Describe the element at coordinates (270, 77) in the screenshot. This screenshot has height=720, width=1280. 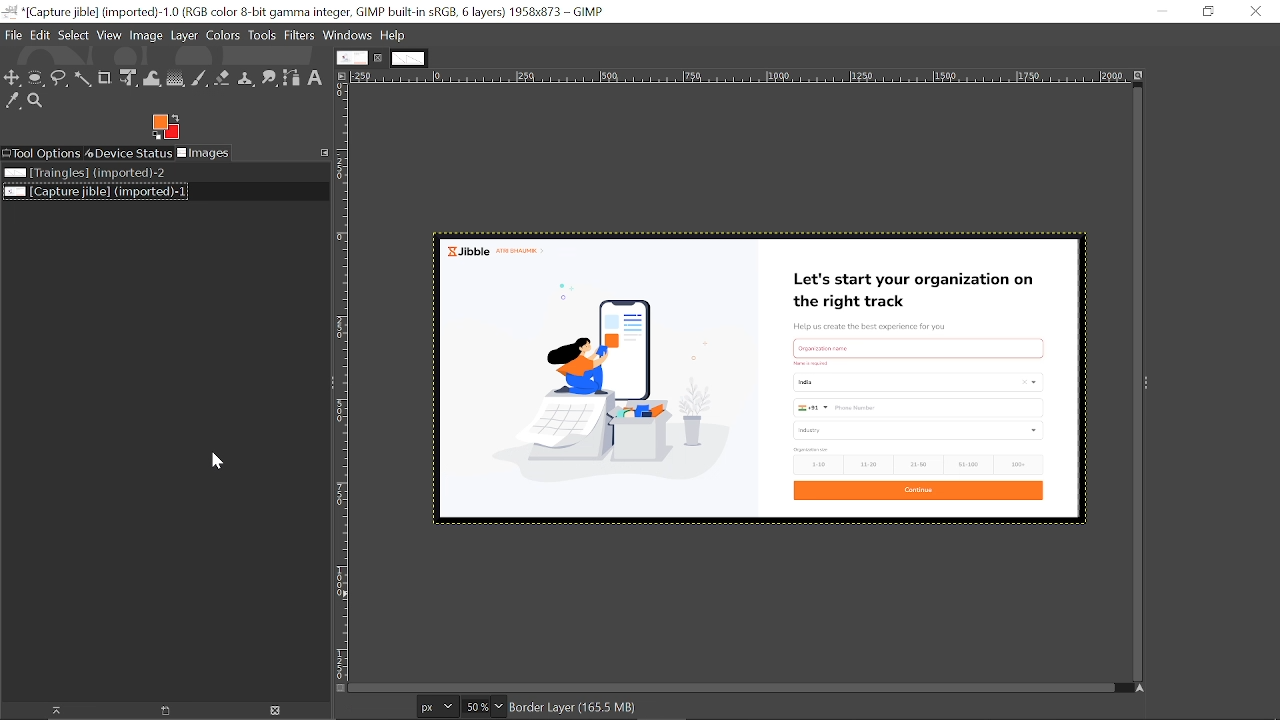
I see `Smudge tool` at that location.